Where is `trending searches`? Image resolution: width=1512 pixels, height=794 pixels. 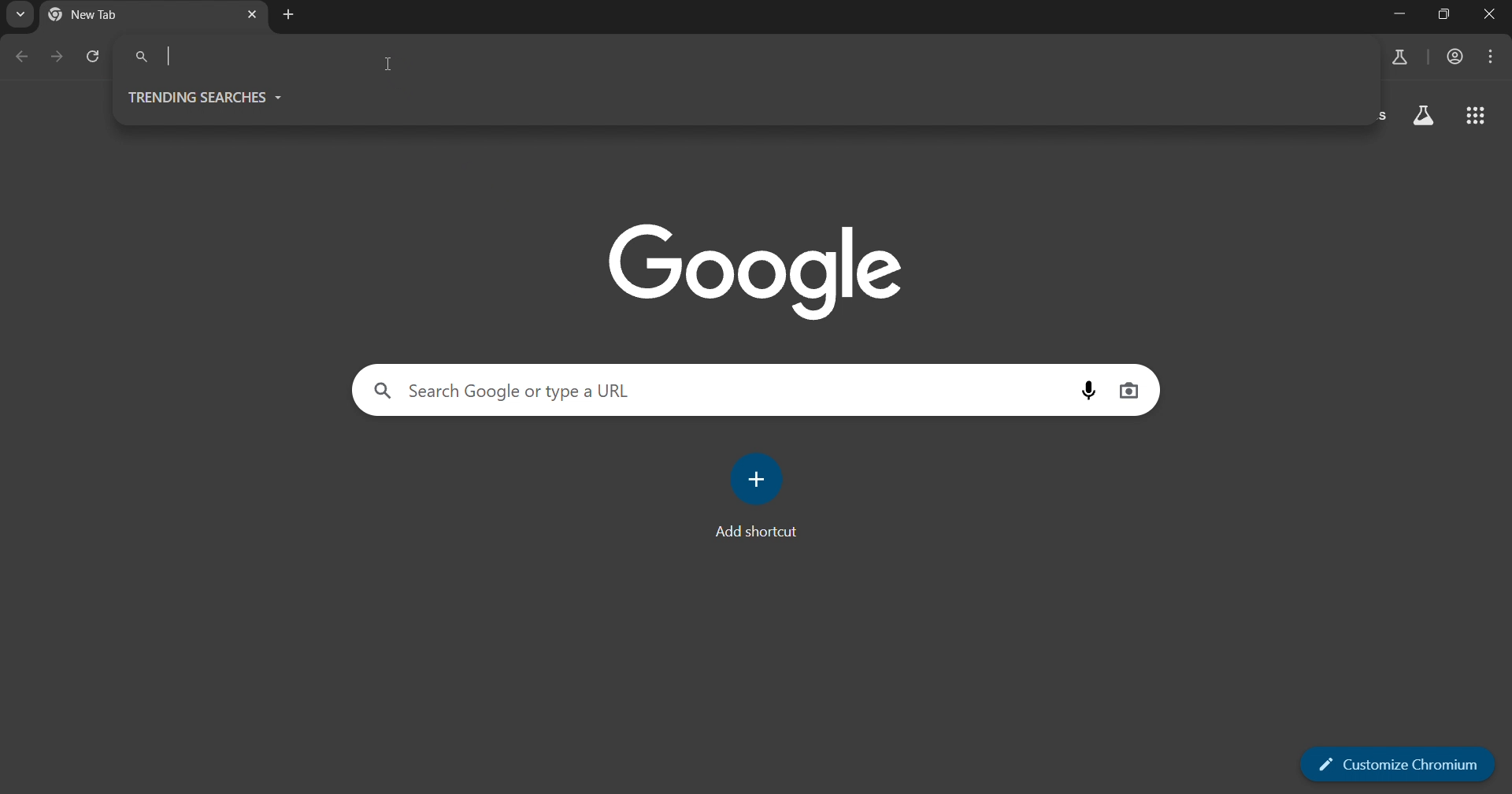
trending searches is located at coordinates (209, 96).